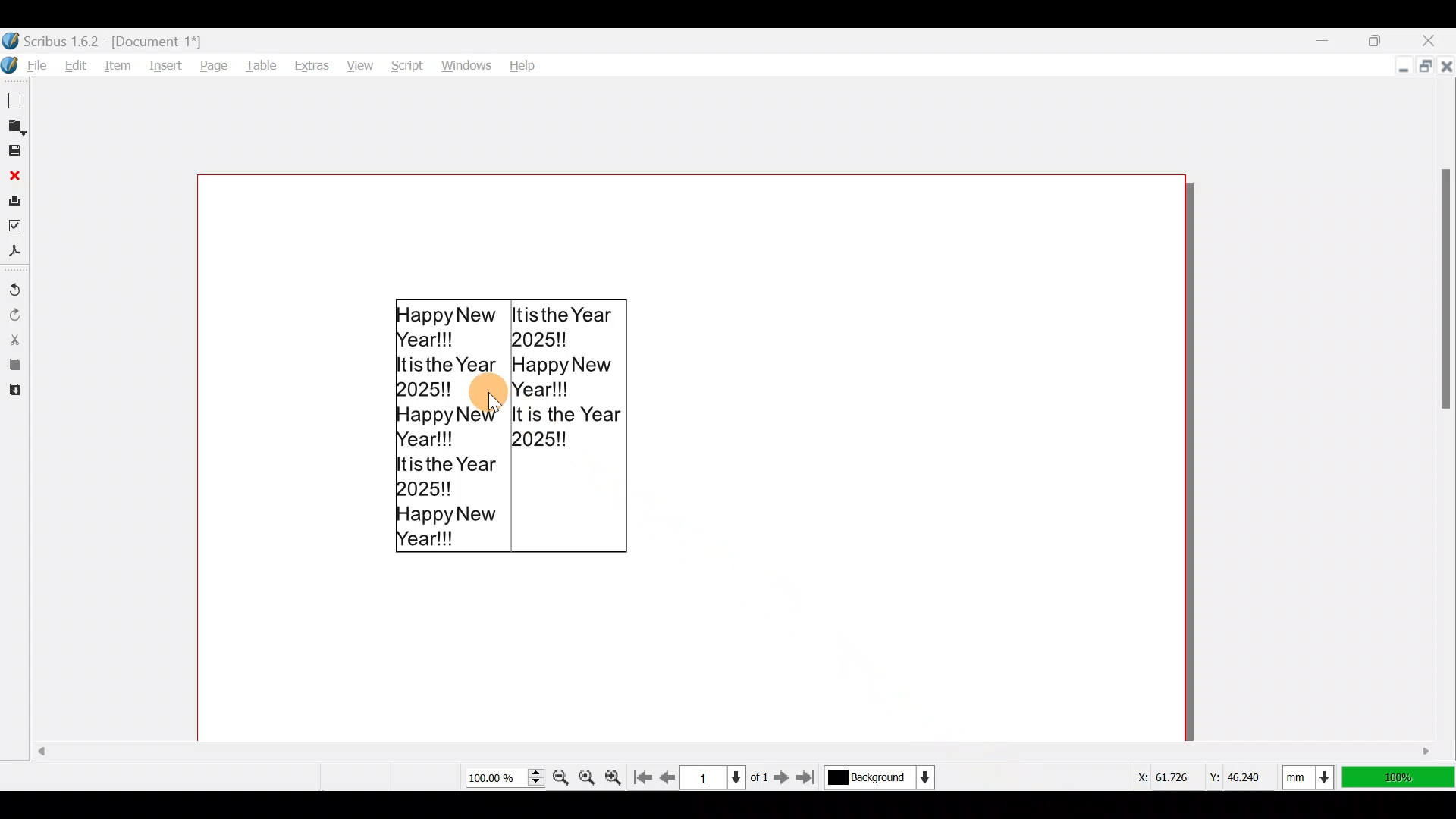 The width and height of the screenshot is (1456, 819). Describe the element at coordinates (1328, 40) in the screenshot. I see `Minimize` at that location.